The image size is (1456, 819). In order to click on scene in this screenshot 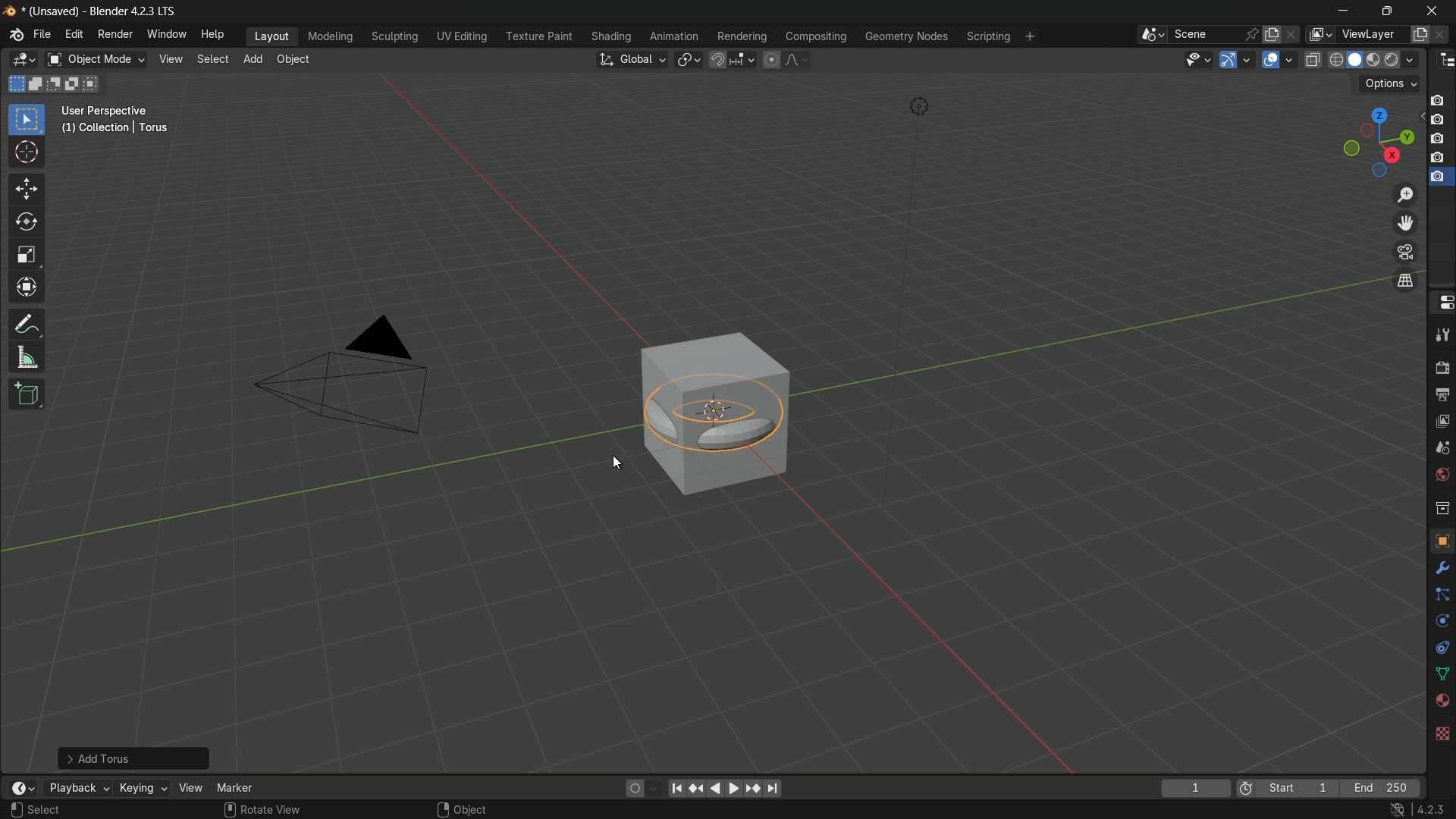, I will do `click(1204, 34)`.